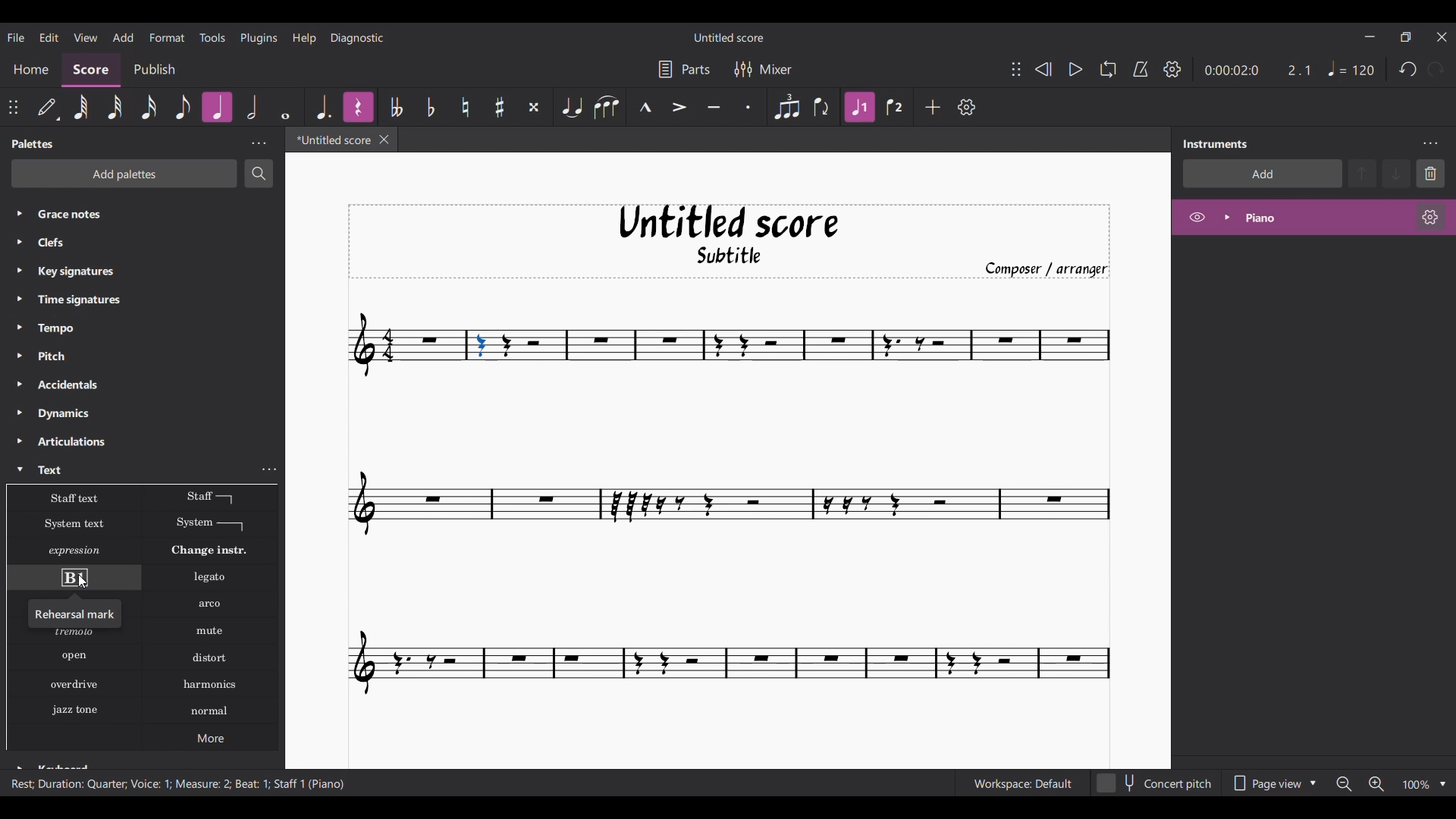  I want to click on Title, sub-title, and composer name, so click(727, 242).